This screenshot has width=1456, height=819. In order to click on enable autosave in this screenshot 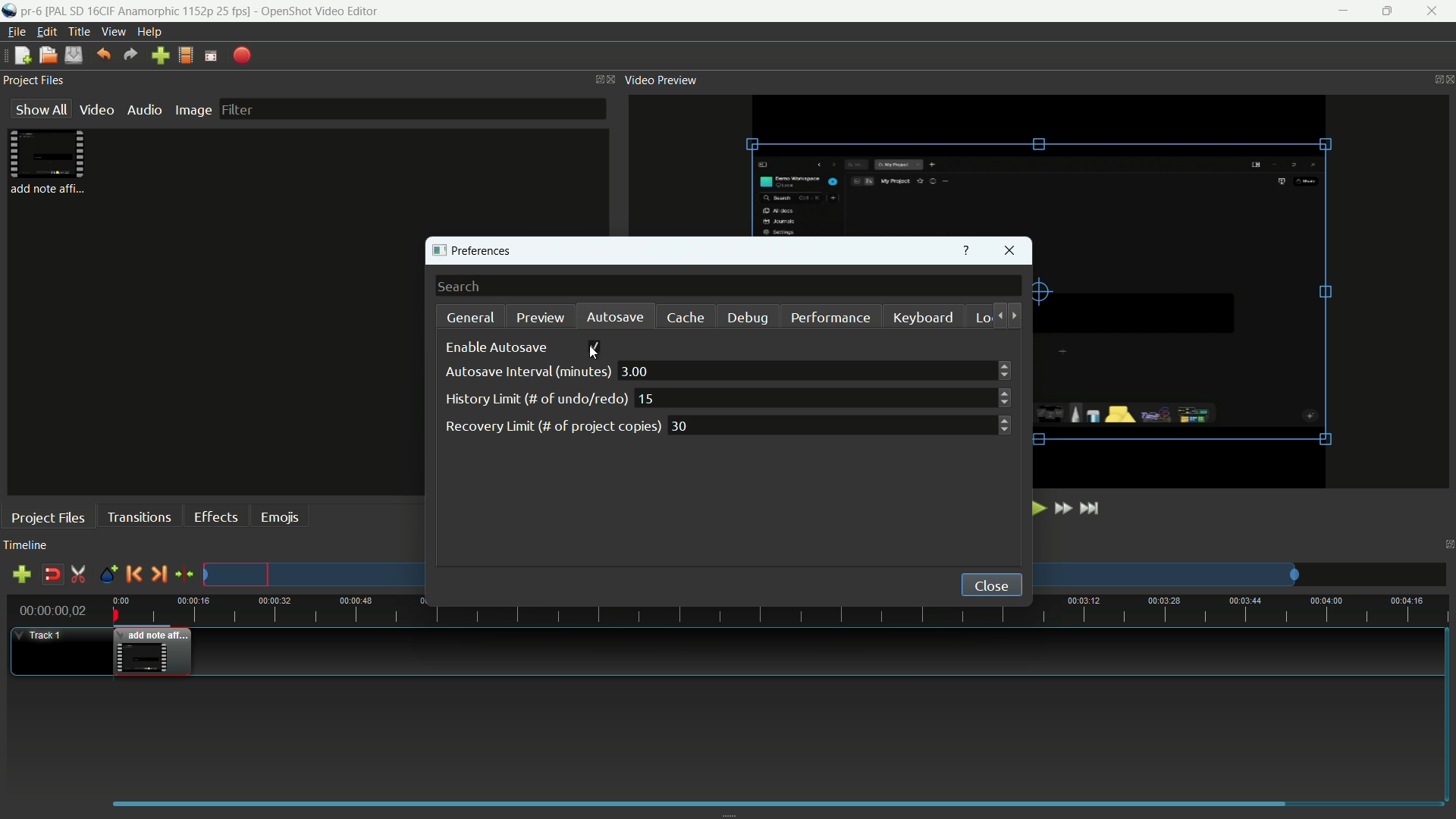, I will do `click(497, 348)`.